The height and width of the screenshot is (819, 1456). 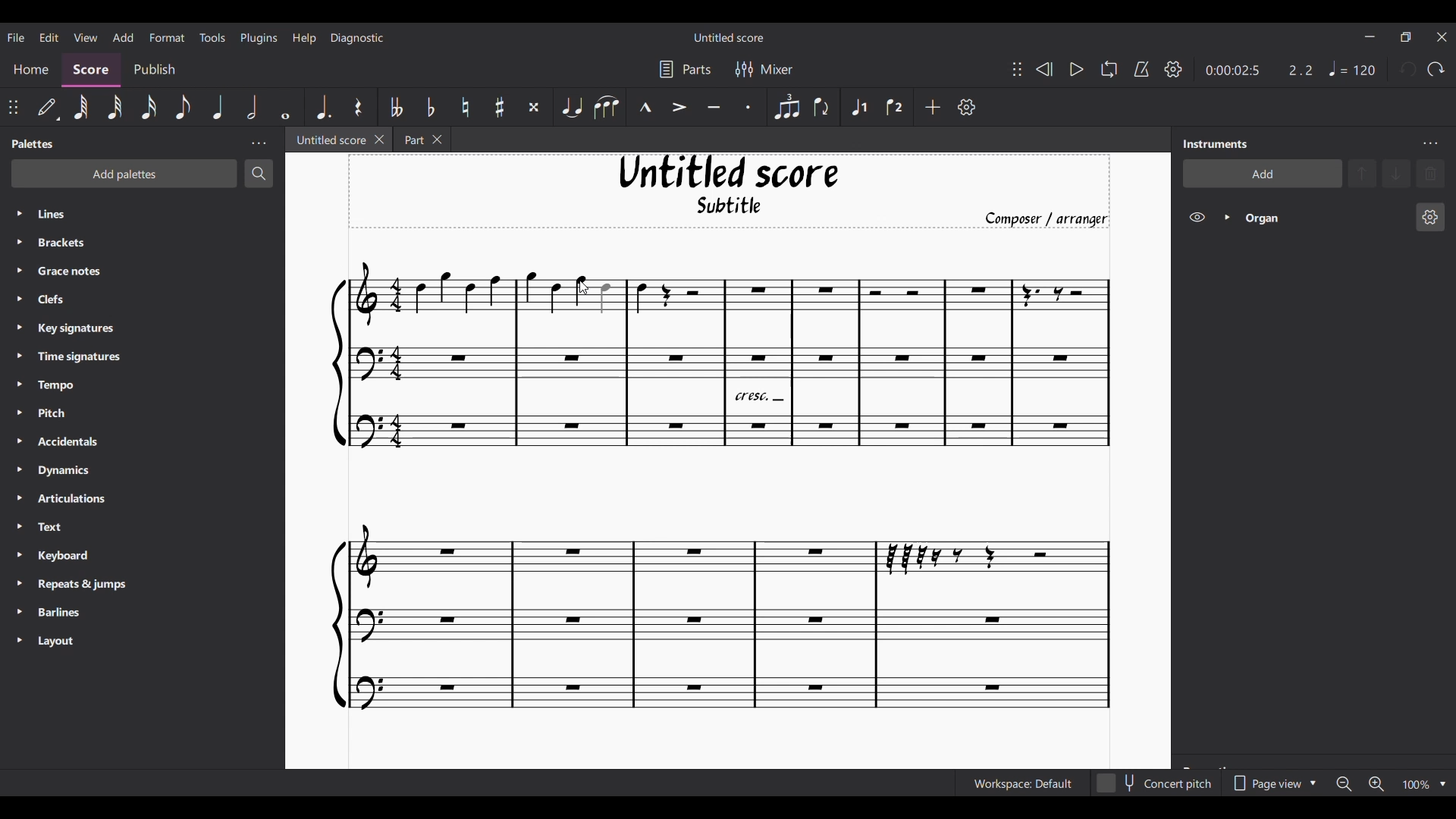 I want to click on Looping playback, so click(x=1109, y=69).